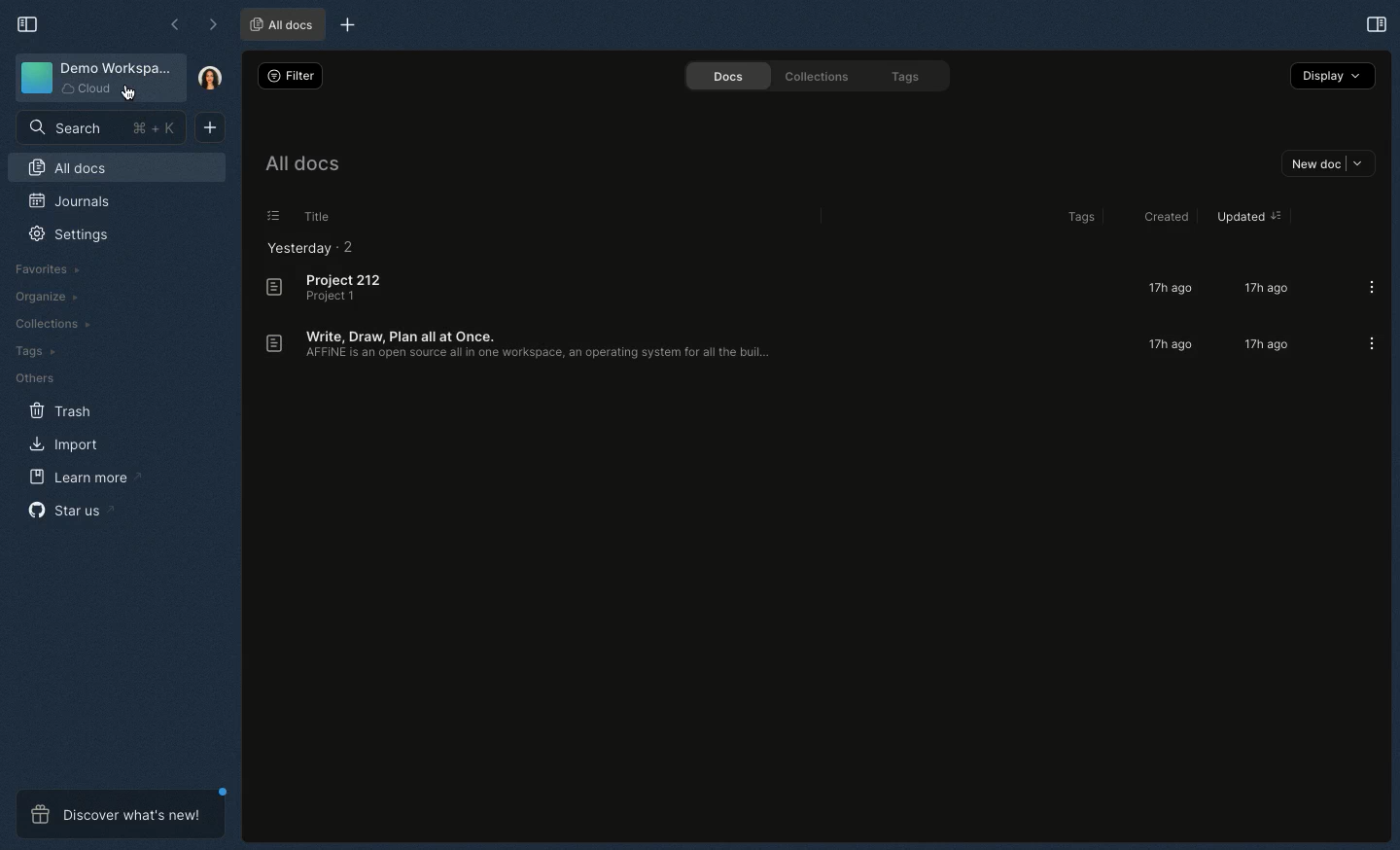 This screenshot has width=1400, height=850. What do you see at coordinates (69, 201) in the screenshot?
I see `Journals` at bounding box center [69, 201].